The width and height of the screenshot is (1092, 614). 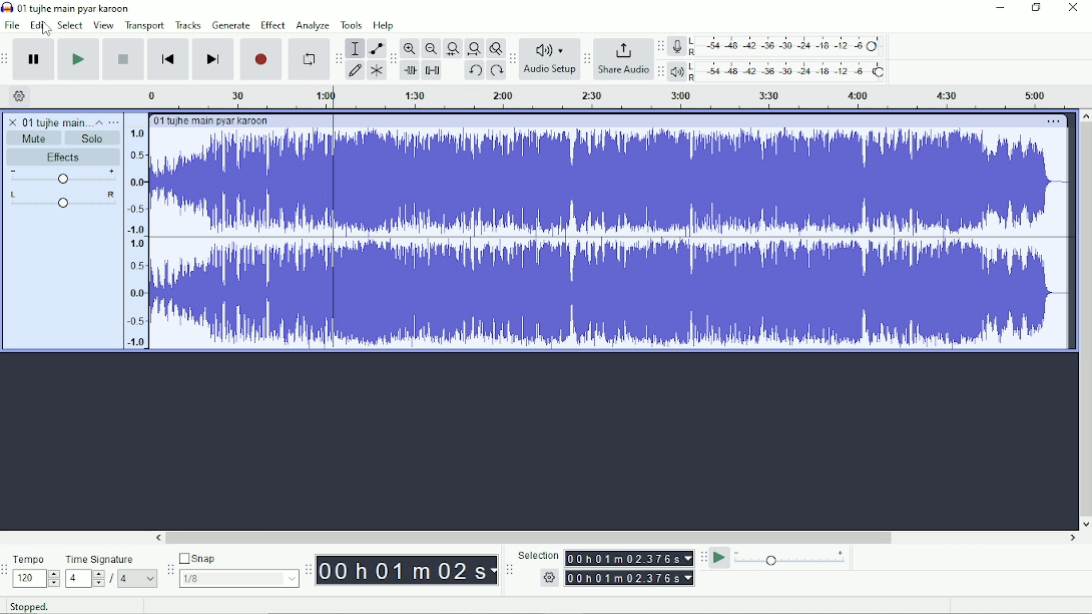 I want to click on Record, so click(x=262, y=59).